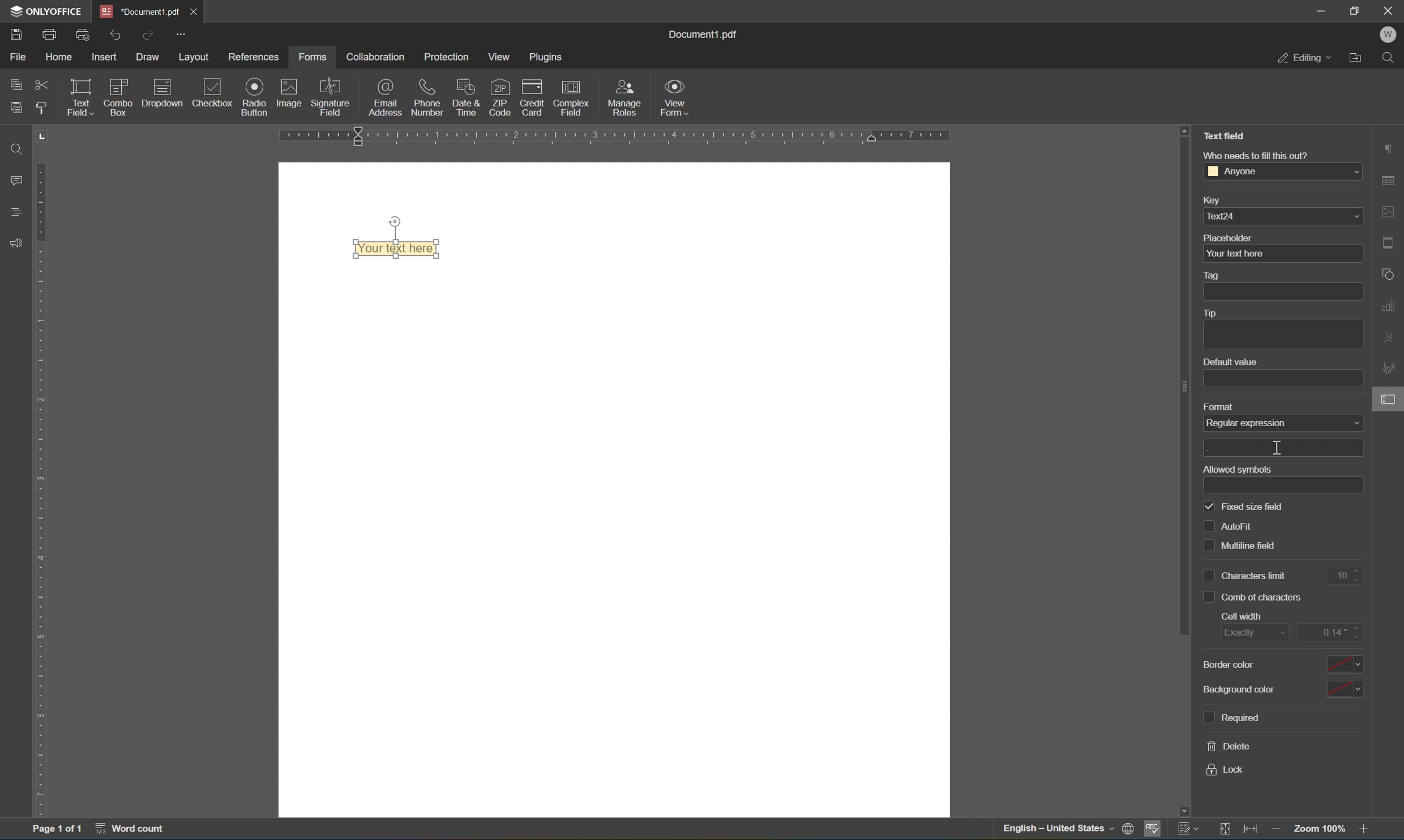 The width and height of the screenshot is (1404, 840). Describe the element at coordinates (1356, 10) in the screenshot. I see `restore down` at that location.